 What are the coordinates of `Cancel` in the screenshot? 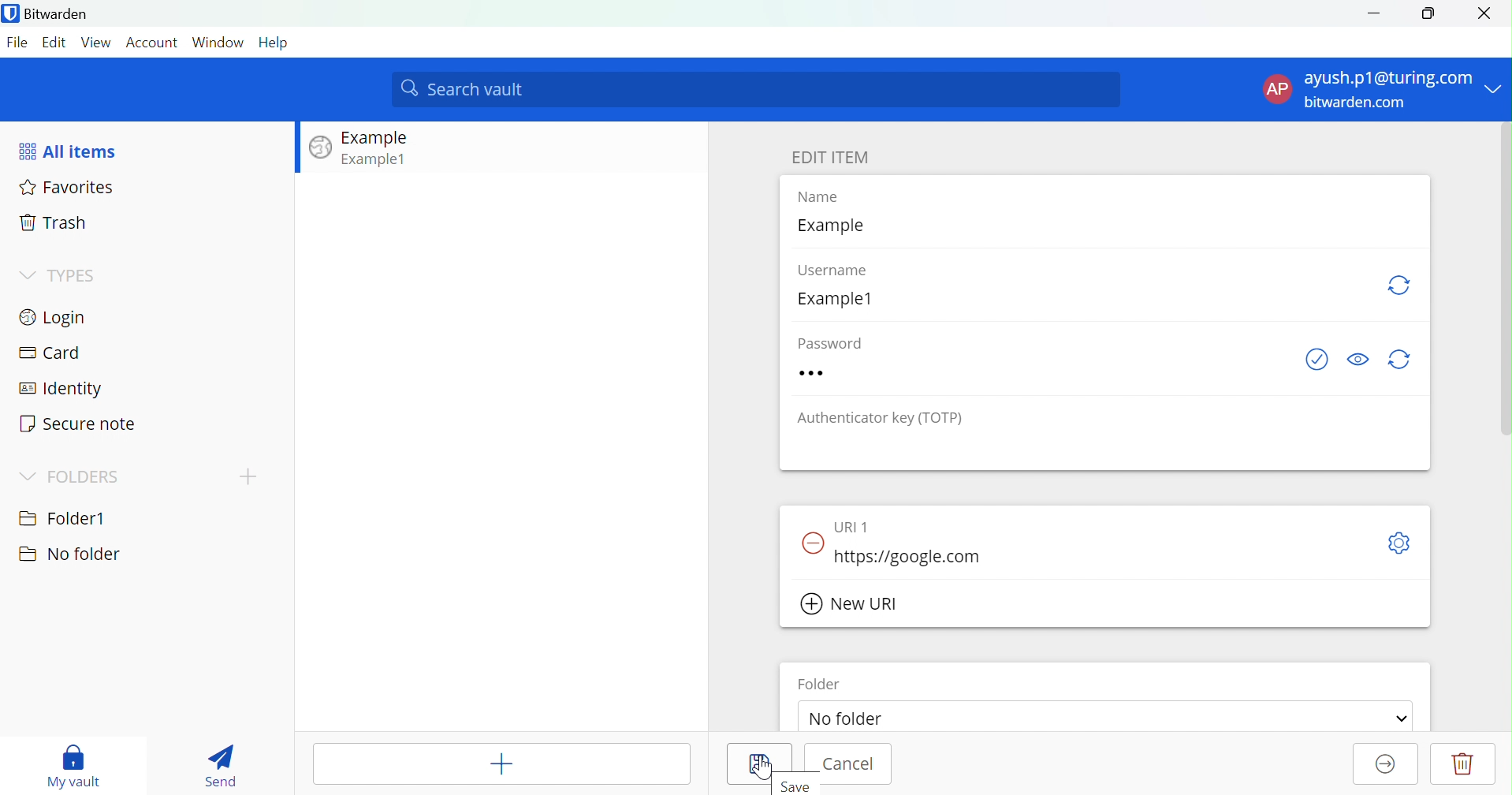 It's located at (851, 766).